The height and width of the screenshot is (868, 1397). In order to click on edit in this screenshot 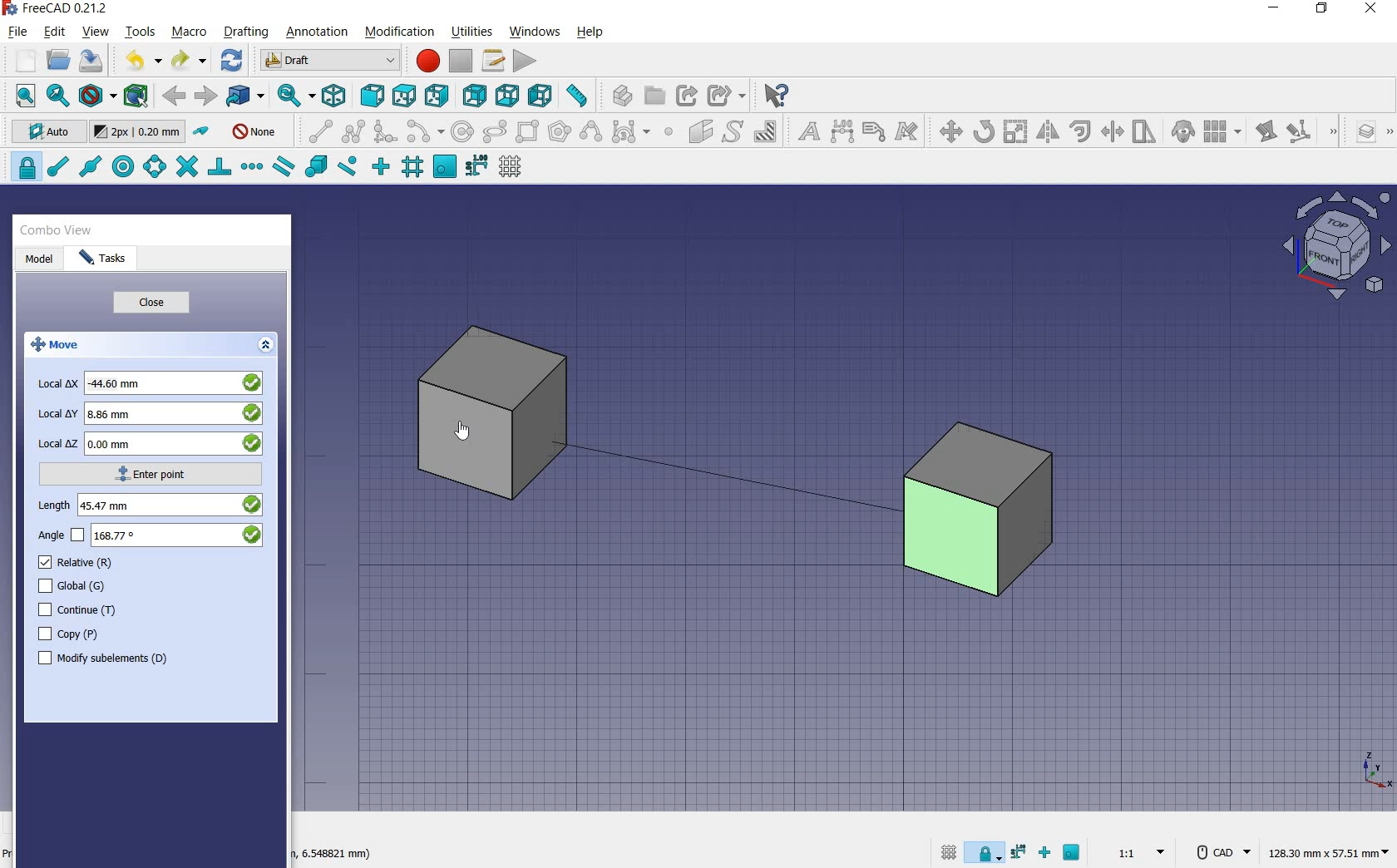, I will do `click(55, 32)`.